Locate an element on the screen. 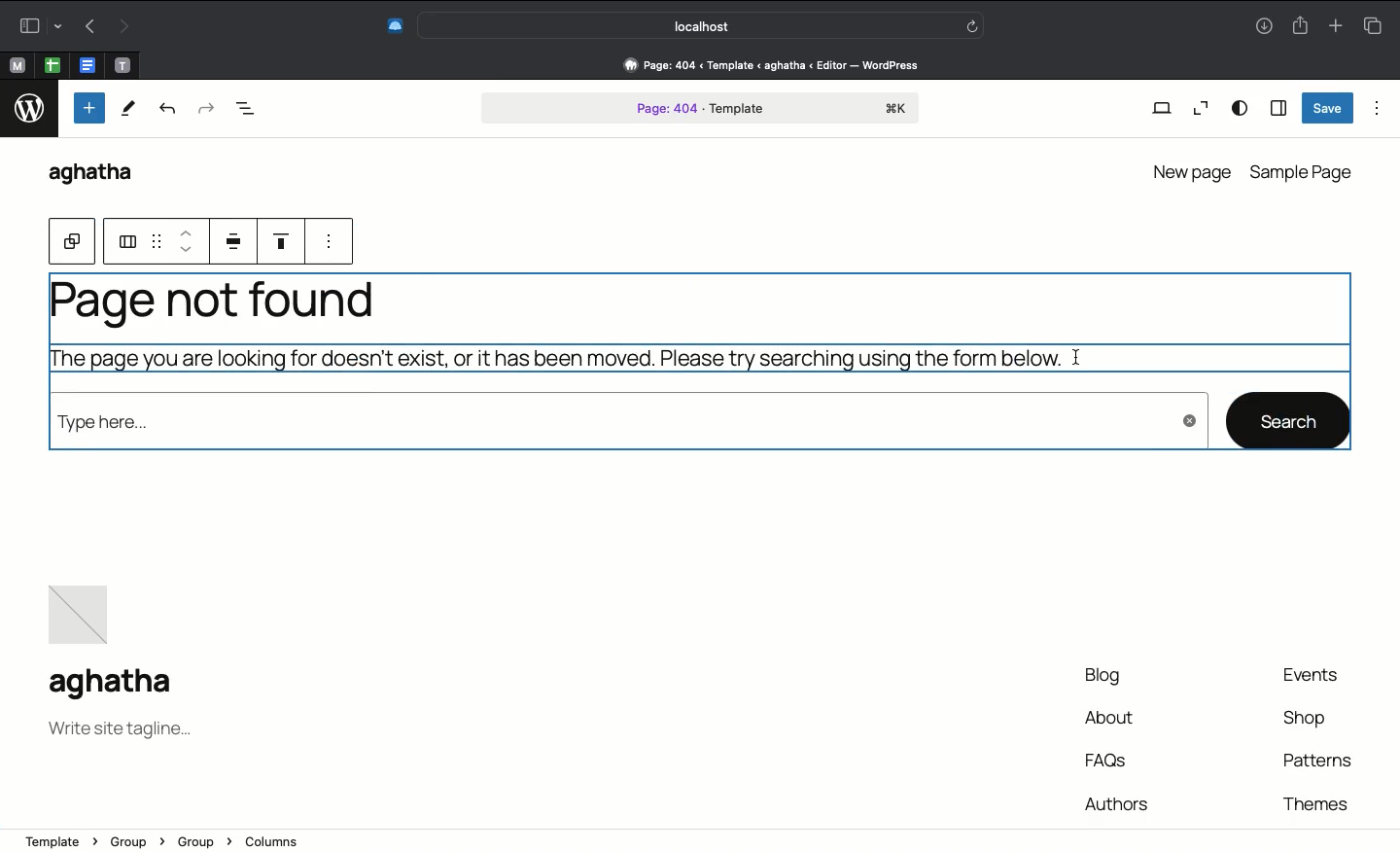 Image resolution: width=1400 pixels, height=852 pixels. space is located at coordinates (237, 241).